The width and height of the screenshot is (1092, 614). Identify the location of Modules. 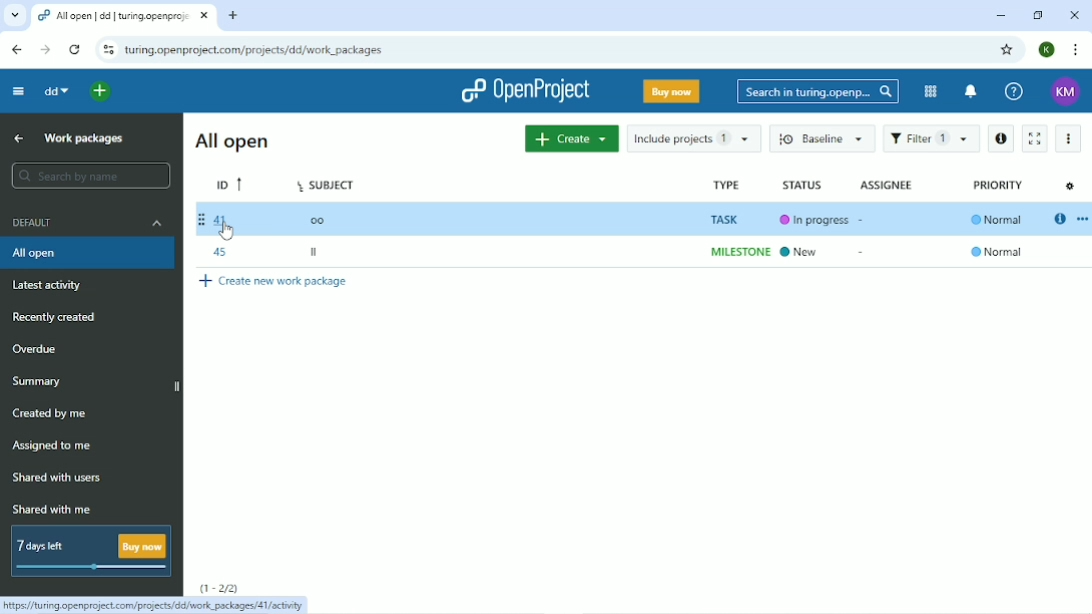
(931, 91).